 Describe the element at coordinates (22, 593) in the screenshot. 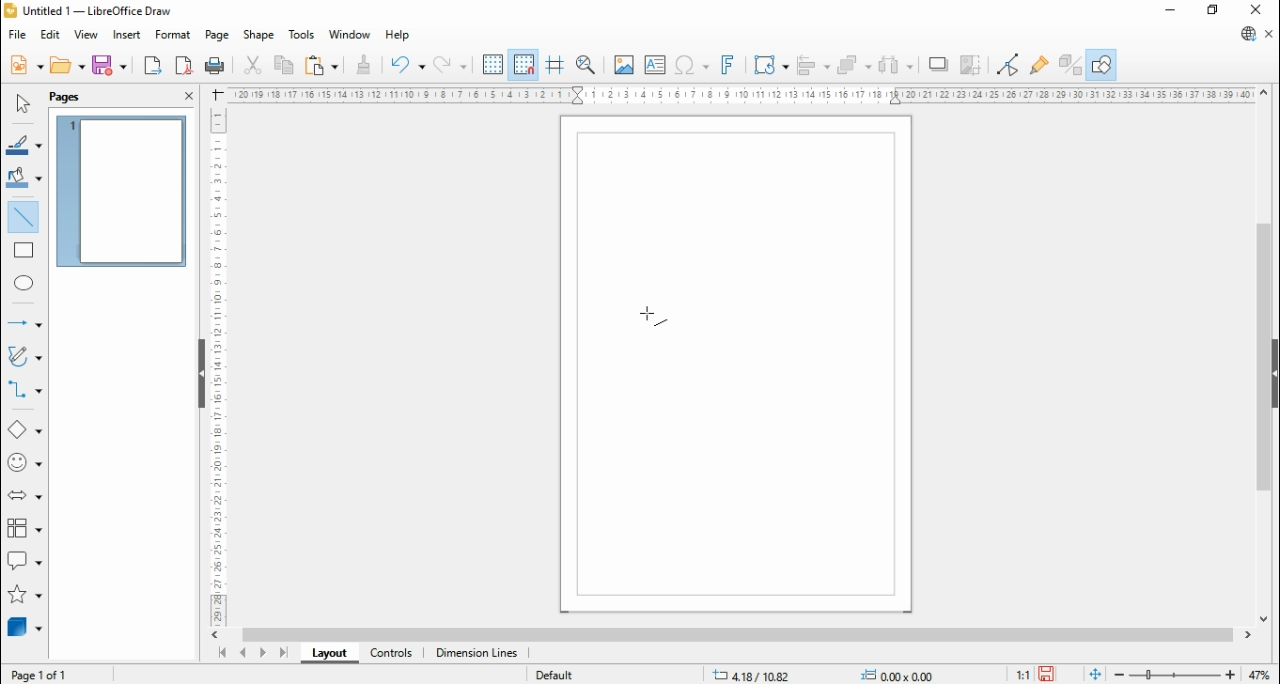

I see `stars and banners` at that location.